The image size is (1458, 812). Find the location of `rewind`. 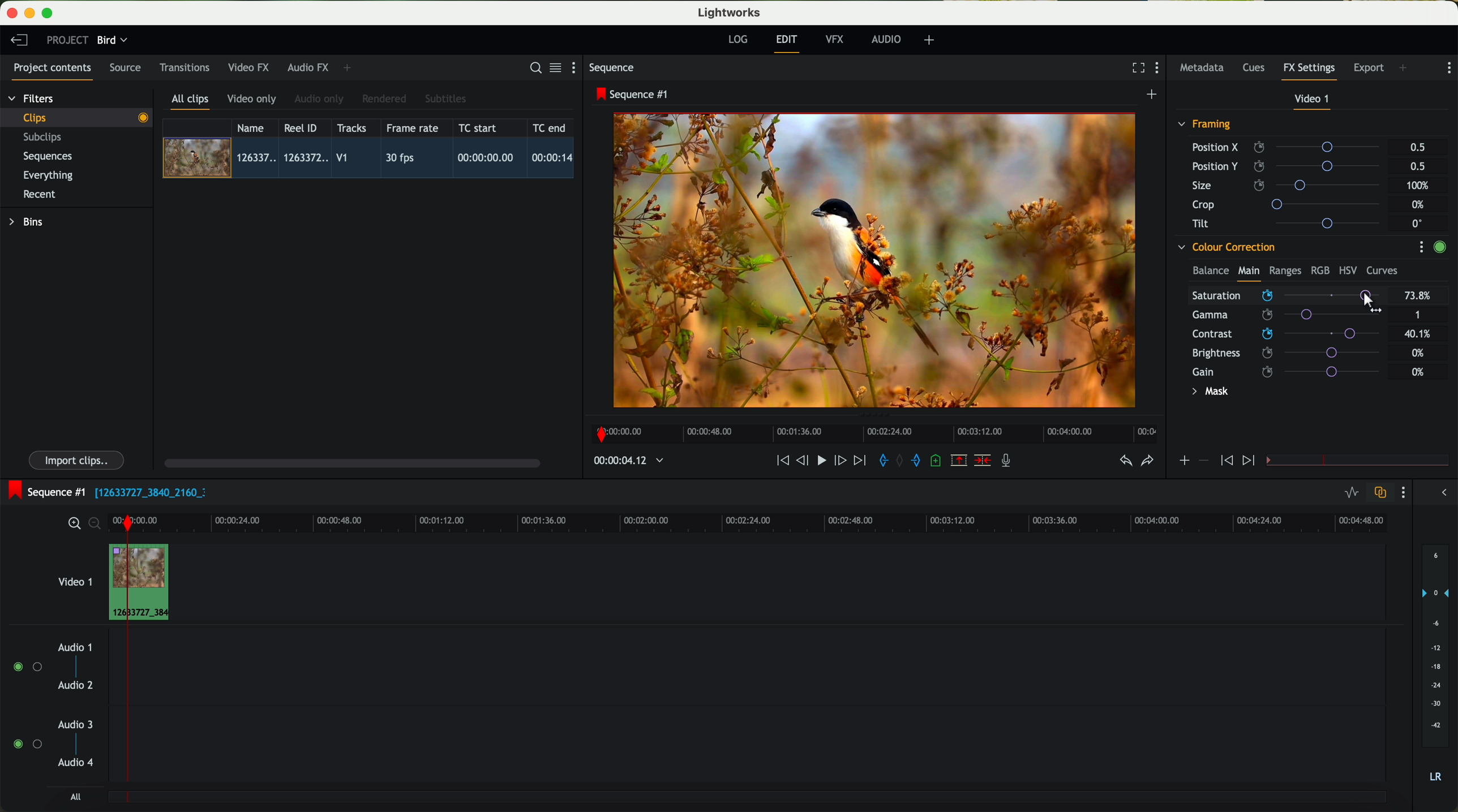

rewind is located at coordinates (782, 461).